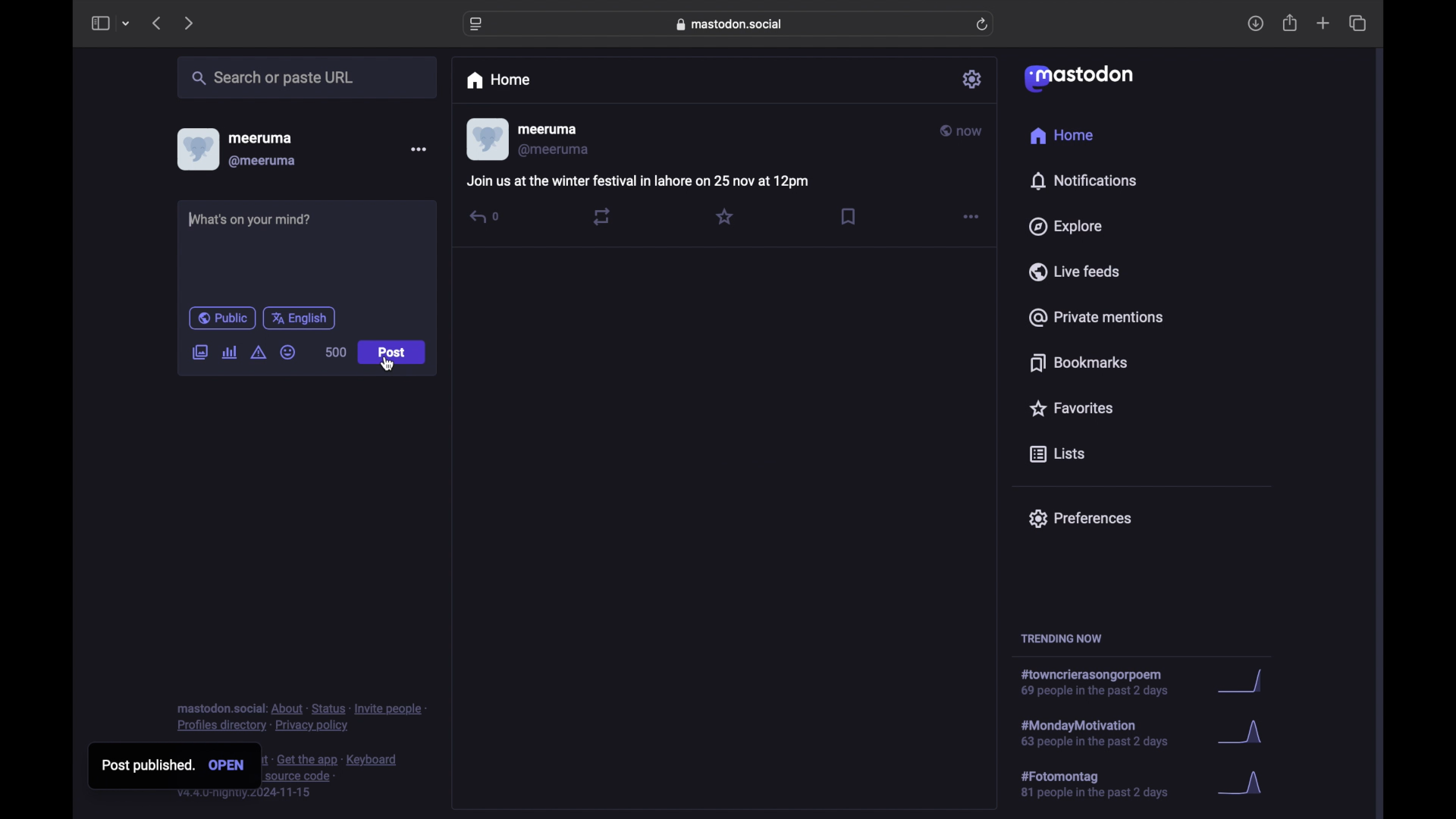 The image size is (1456, 819). What do you see at coordinates (984, 25) in the screenshot?
I see `refresh` at bounding box center [984, 25].